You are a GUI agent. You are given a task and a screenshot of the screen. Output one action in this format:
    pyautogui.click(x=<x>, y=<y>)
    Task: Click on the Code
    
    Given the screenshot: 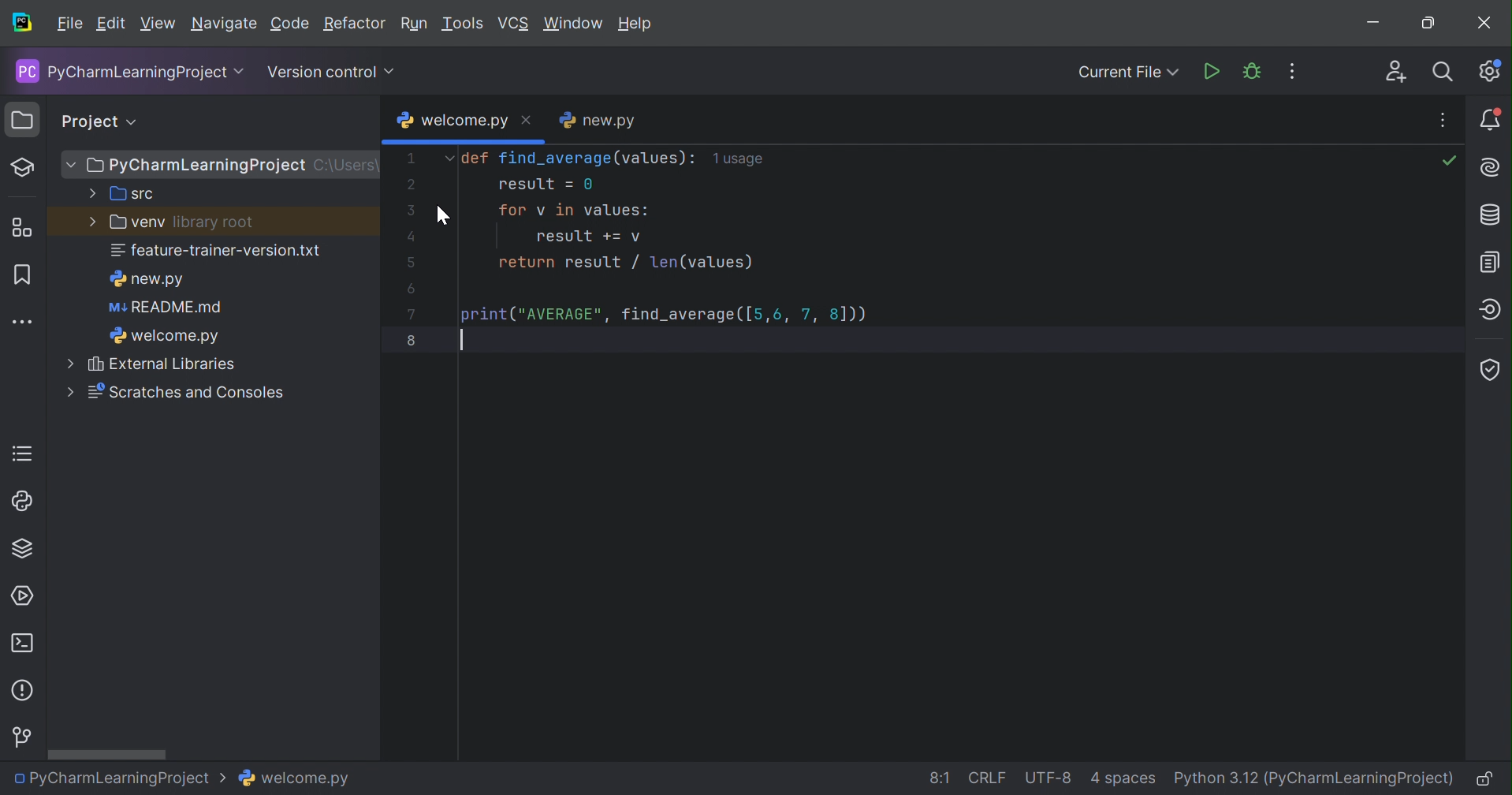 What is the action you would take?
    pyautogui.click(x=289, y=25)
    